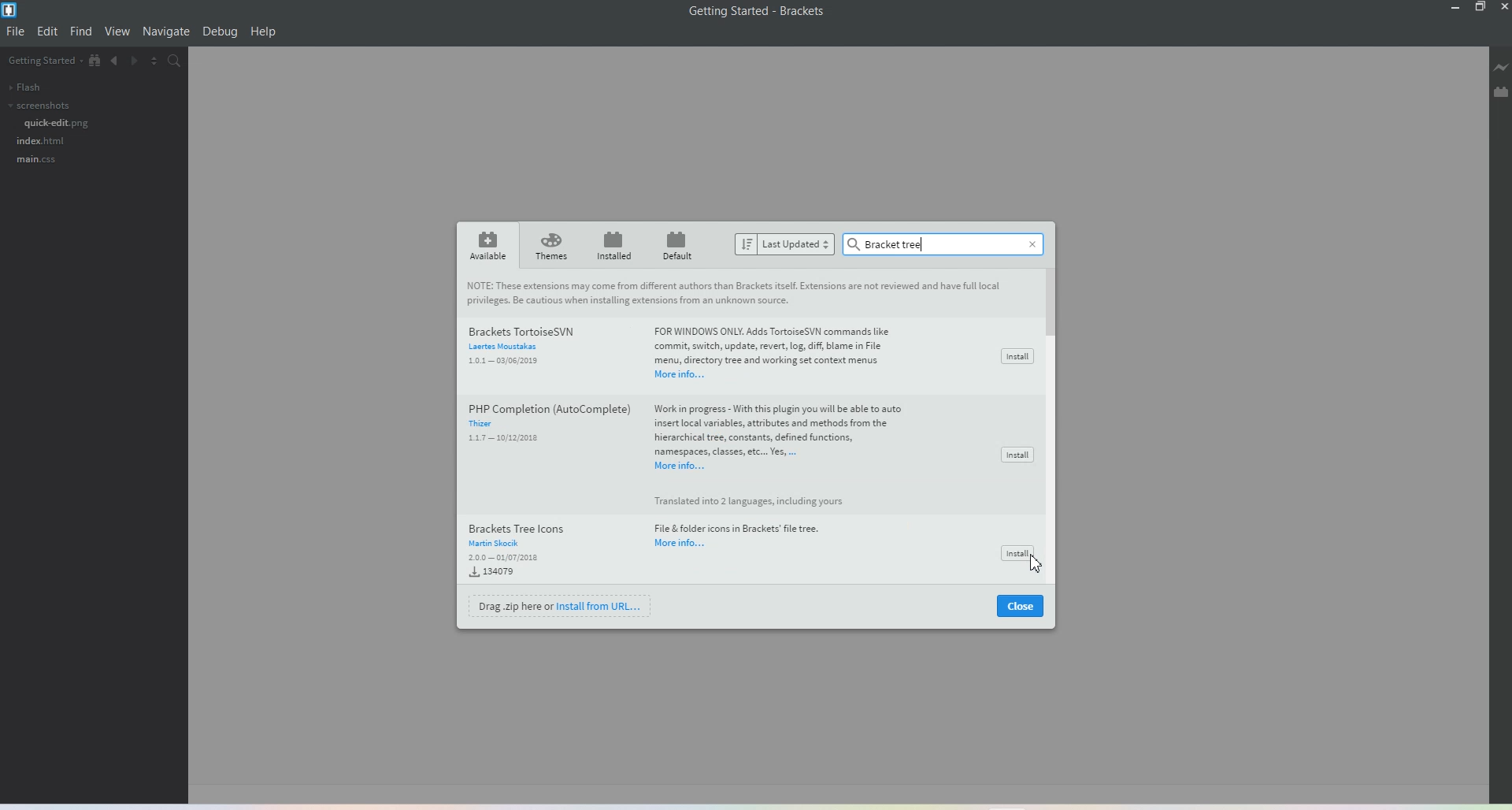 The image size is (1512, 810). Describe the element at coordinates (647, 549) in the screenshot. I see `Brackets Tree Icons` at that location.